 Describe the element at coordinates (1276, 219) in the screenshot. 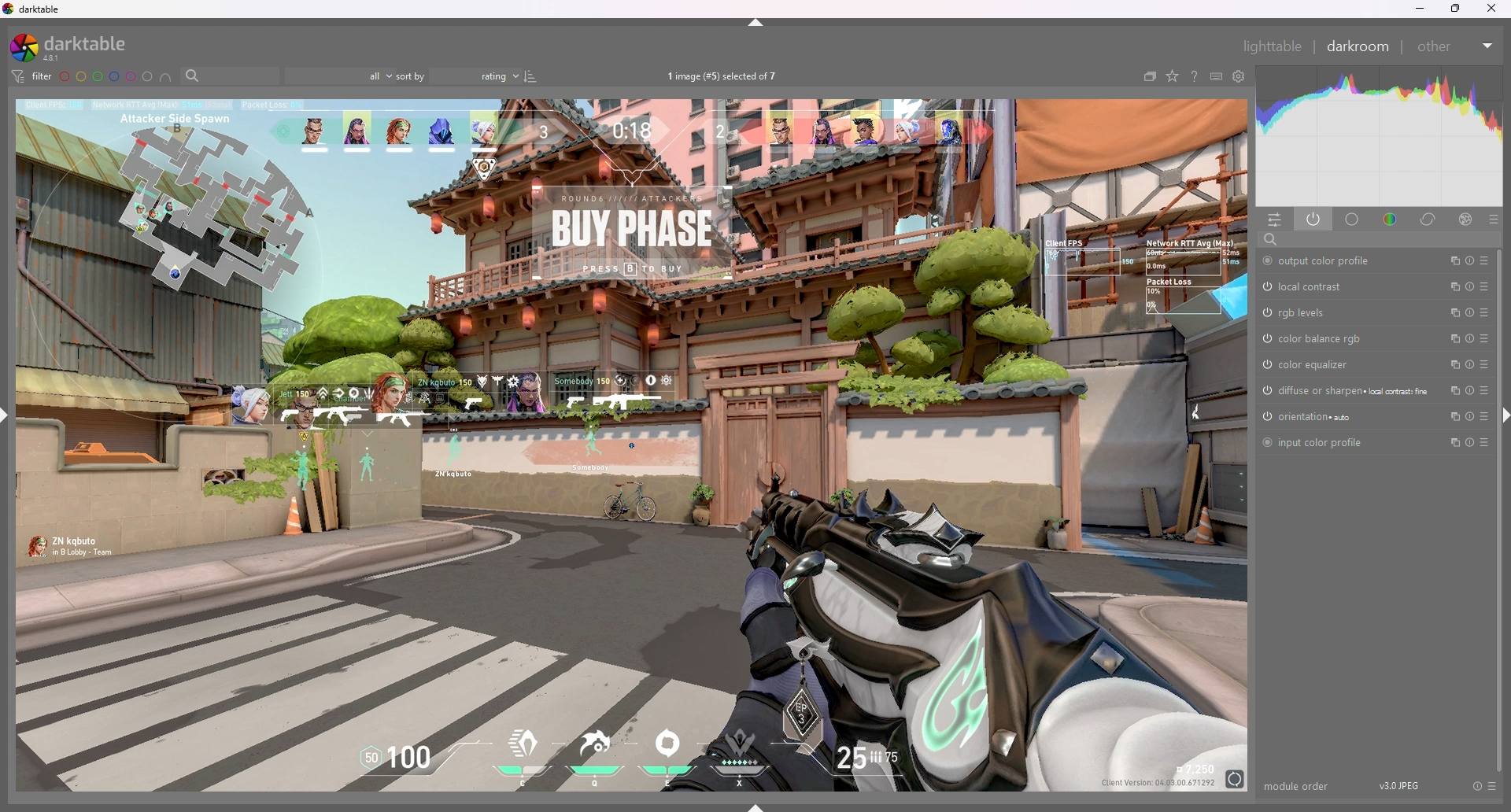

I see `quick access panel` at that location.